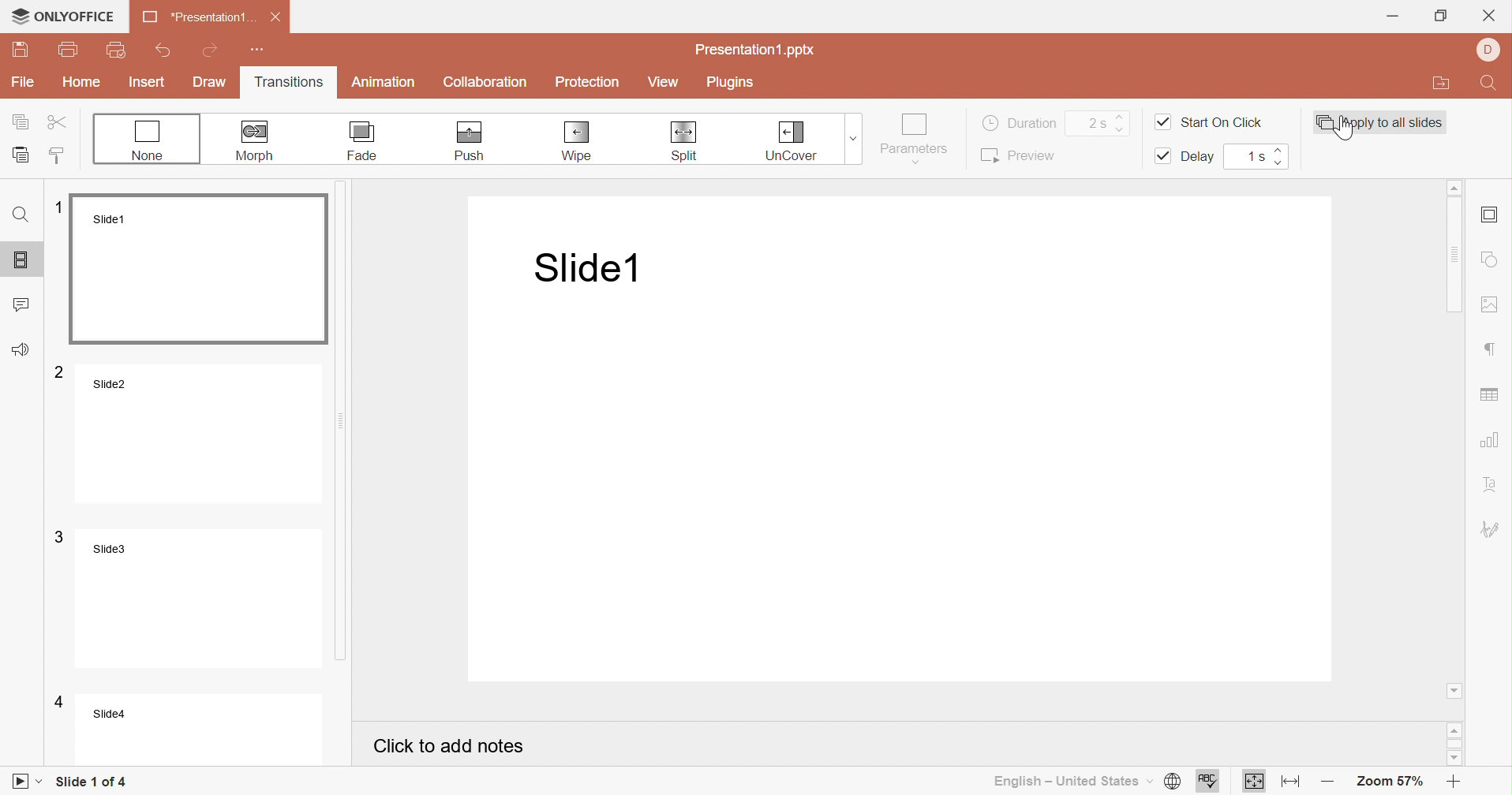 The image size is (1512, 795). Describe the element at coordinates (58, 121) in the screenshot. I see `Cut` at that location.